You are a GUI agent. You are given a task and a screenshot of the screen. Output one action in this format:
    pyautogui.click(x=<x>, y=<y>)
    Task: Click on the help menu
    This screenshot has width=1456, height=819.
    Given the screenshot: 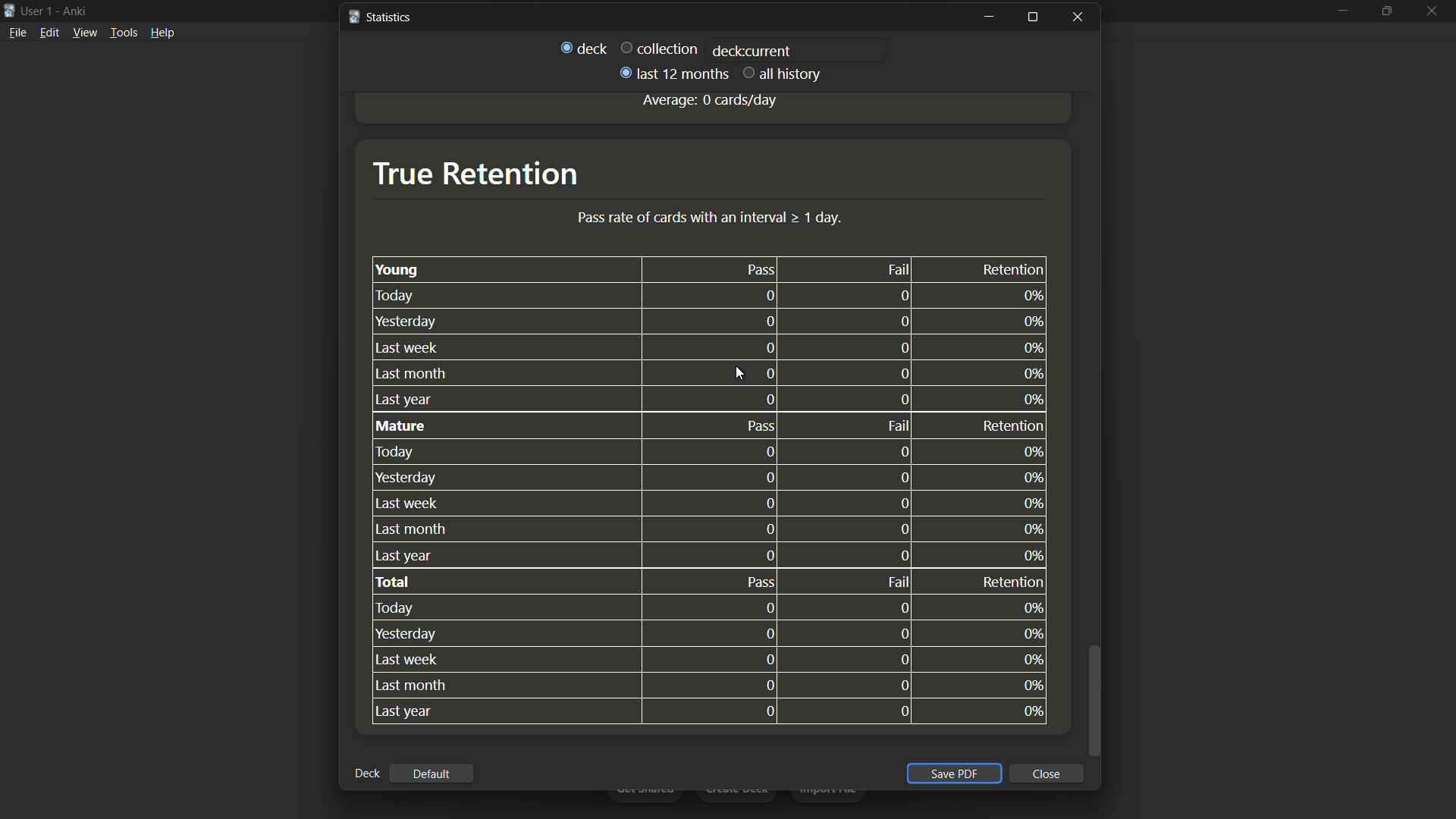 What is the action you would take?
    pyautogui.click(x=164, y=33)
    